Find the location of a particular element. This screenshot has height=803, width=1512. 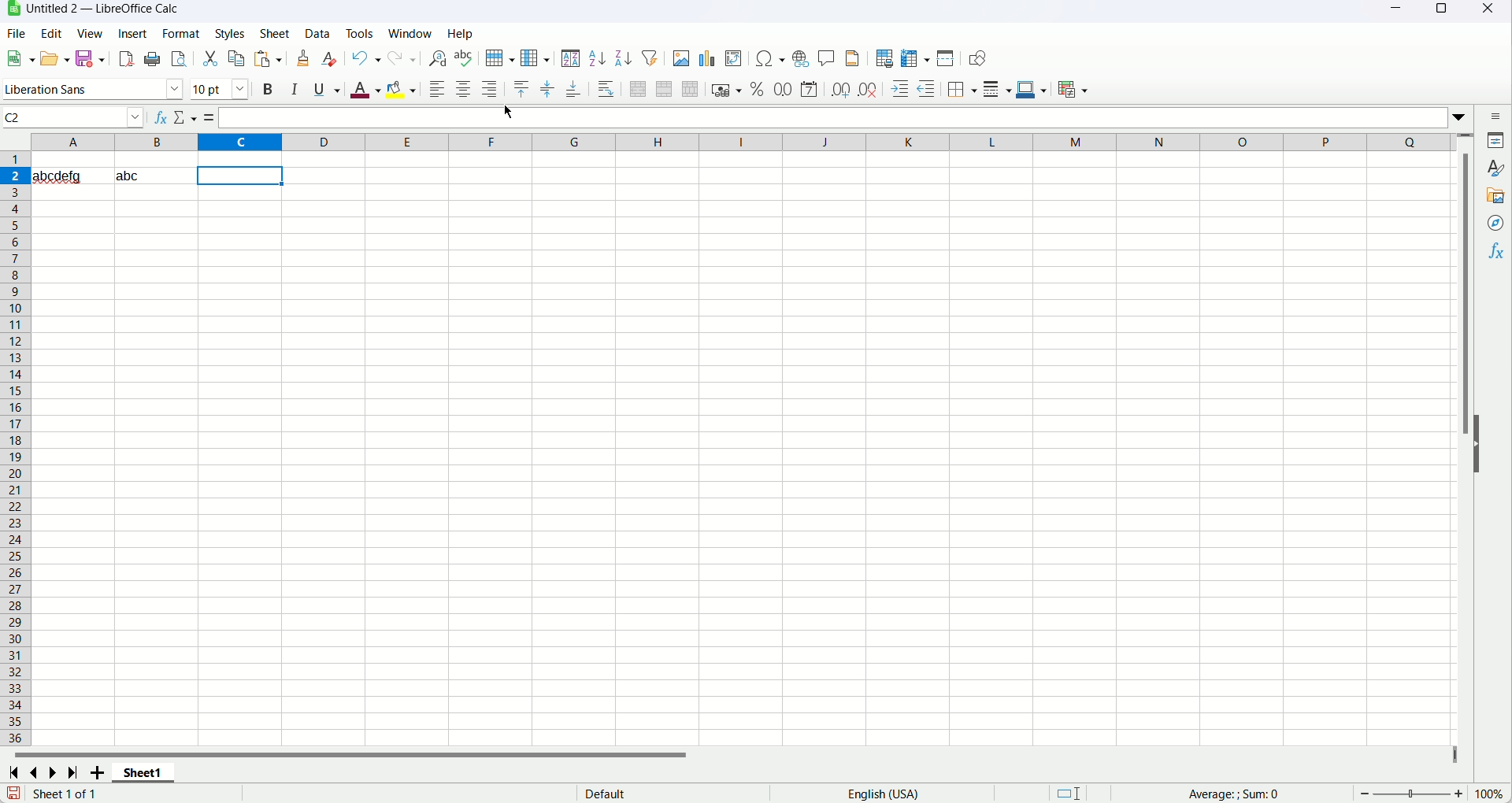

bold is located at coordinates (269, 90).